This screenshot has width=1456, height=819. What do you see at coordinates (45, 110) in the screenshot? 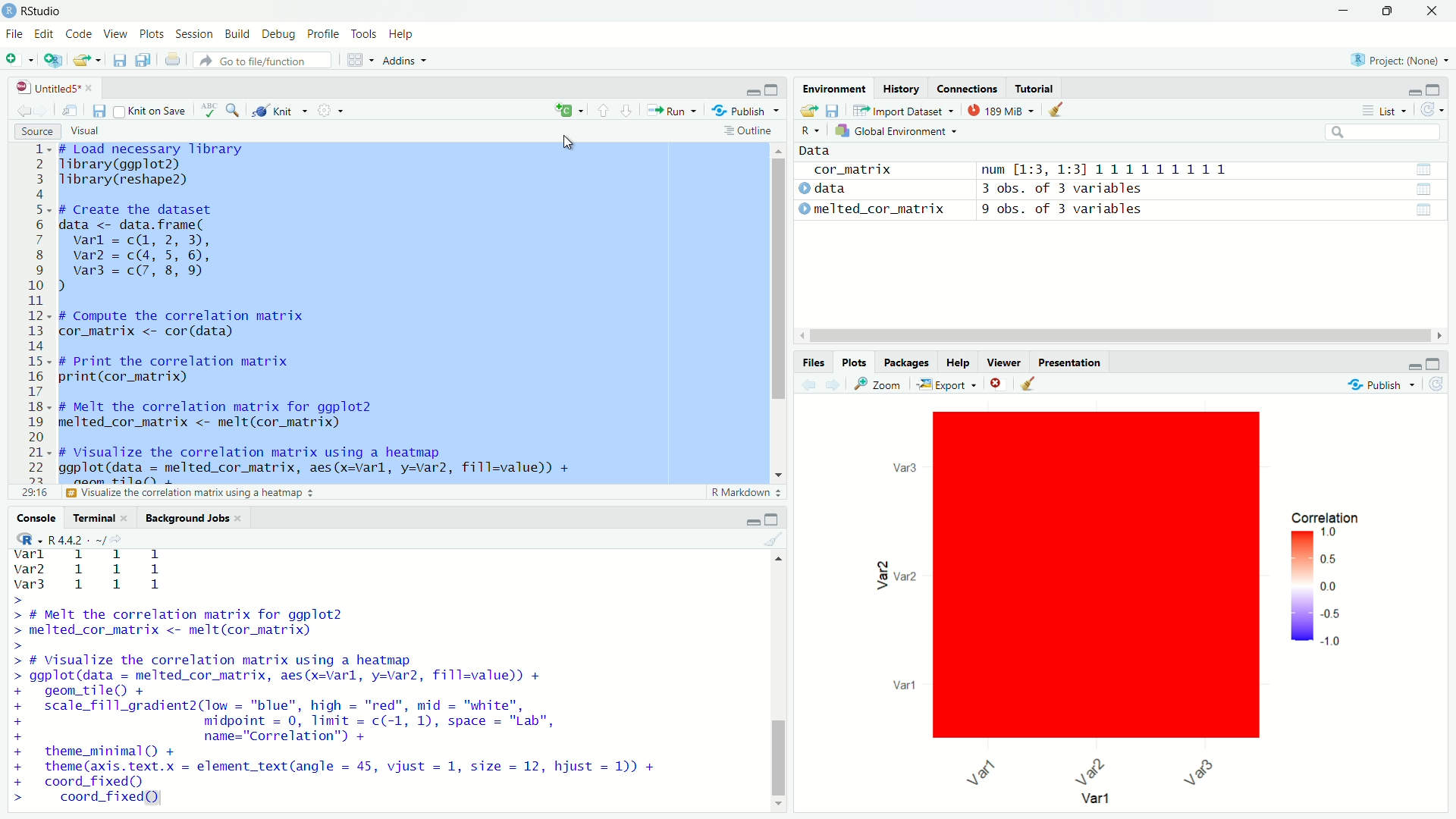
I see `go forward` at bounding box center [45, 110].